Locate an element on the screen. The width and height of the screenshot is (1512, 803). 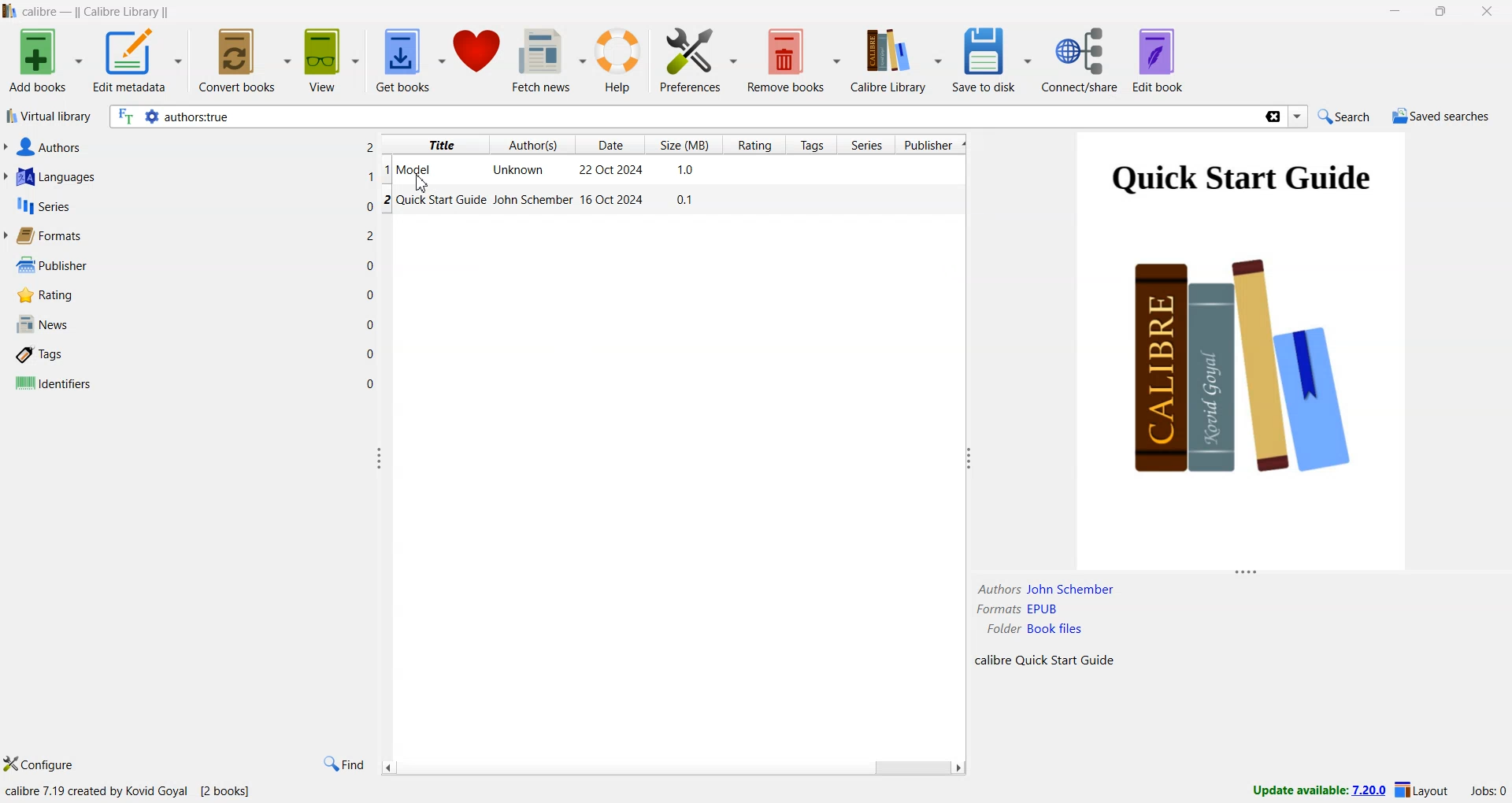
remove books is located at coordinates (795, 61).